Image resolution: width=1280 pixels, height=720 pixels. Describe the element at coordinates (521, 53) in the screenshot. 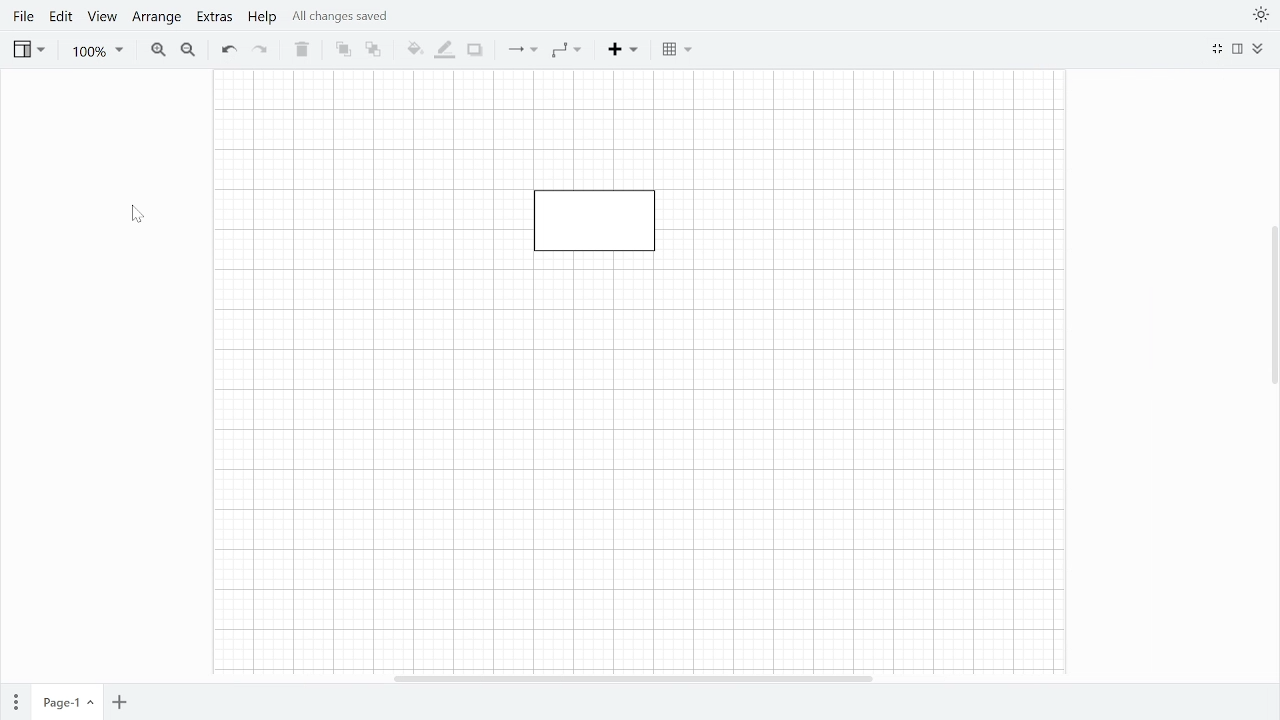

I see `Connection` at that location.